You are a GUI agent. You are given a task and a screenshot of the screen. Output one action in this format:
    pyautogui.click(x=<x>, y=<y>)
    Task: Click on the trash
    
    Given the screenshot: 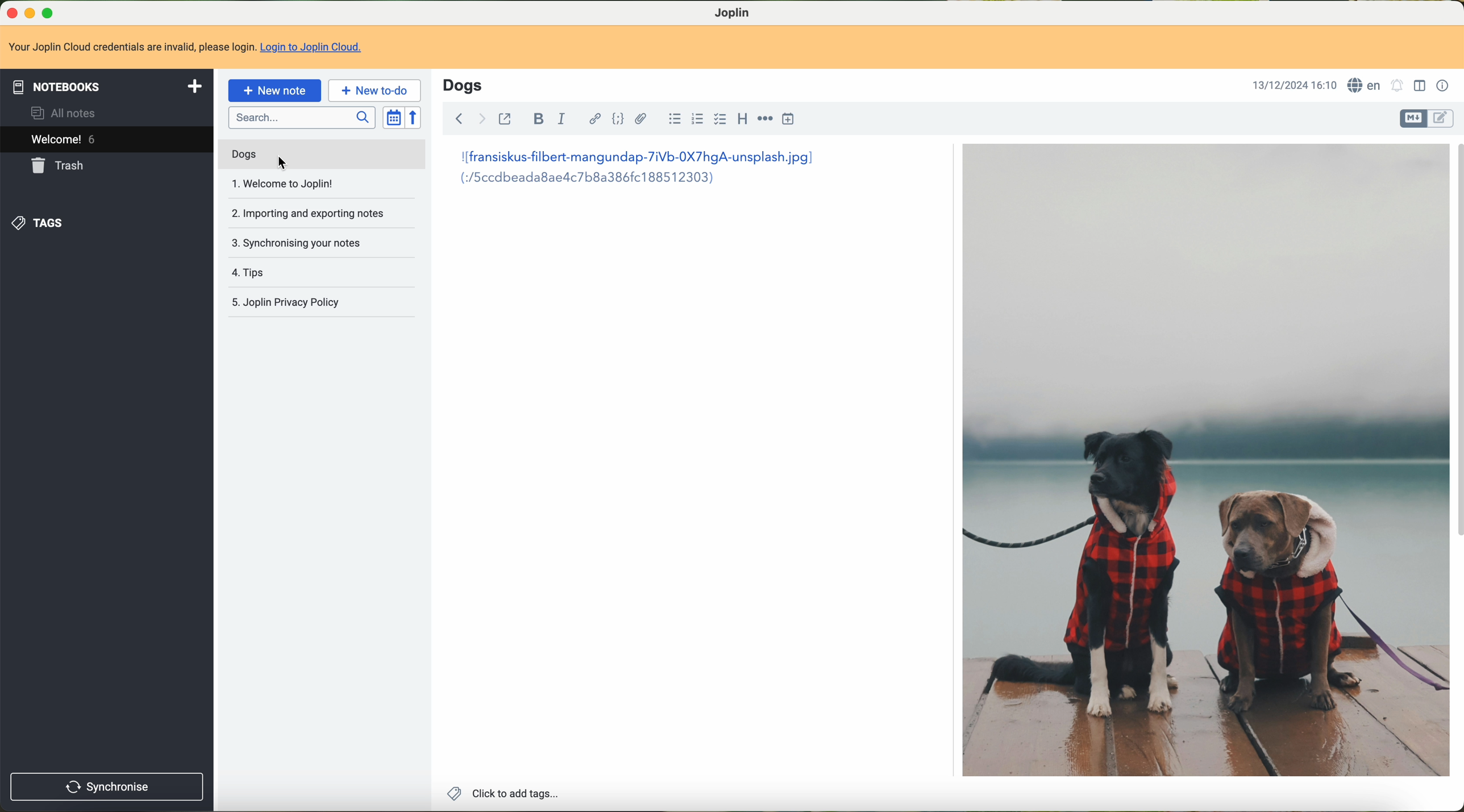 What is the action you would take?
    pyautogui.click(x=62, y=165)
    